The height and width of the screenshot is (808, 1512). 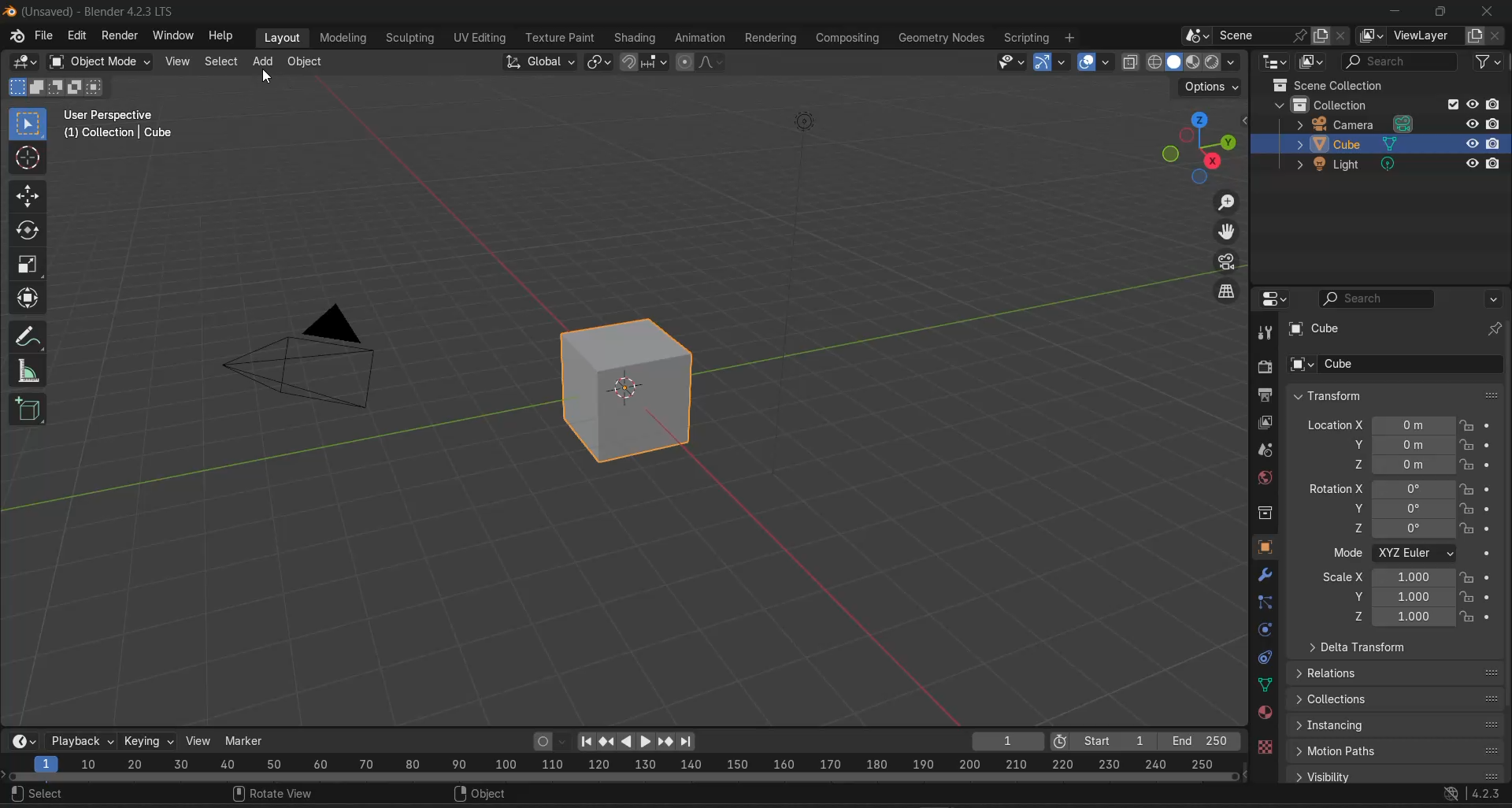 I want to click on animate property, so click(x=1490, y=617).